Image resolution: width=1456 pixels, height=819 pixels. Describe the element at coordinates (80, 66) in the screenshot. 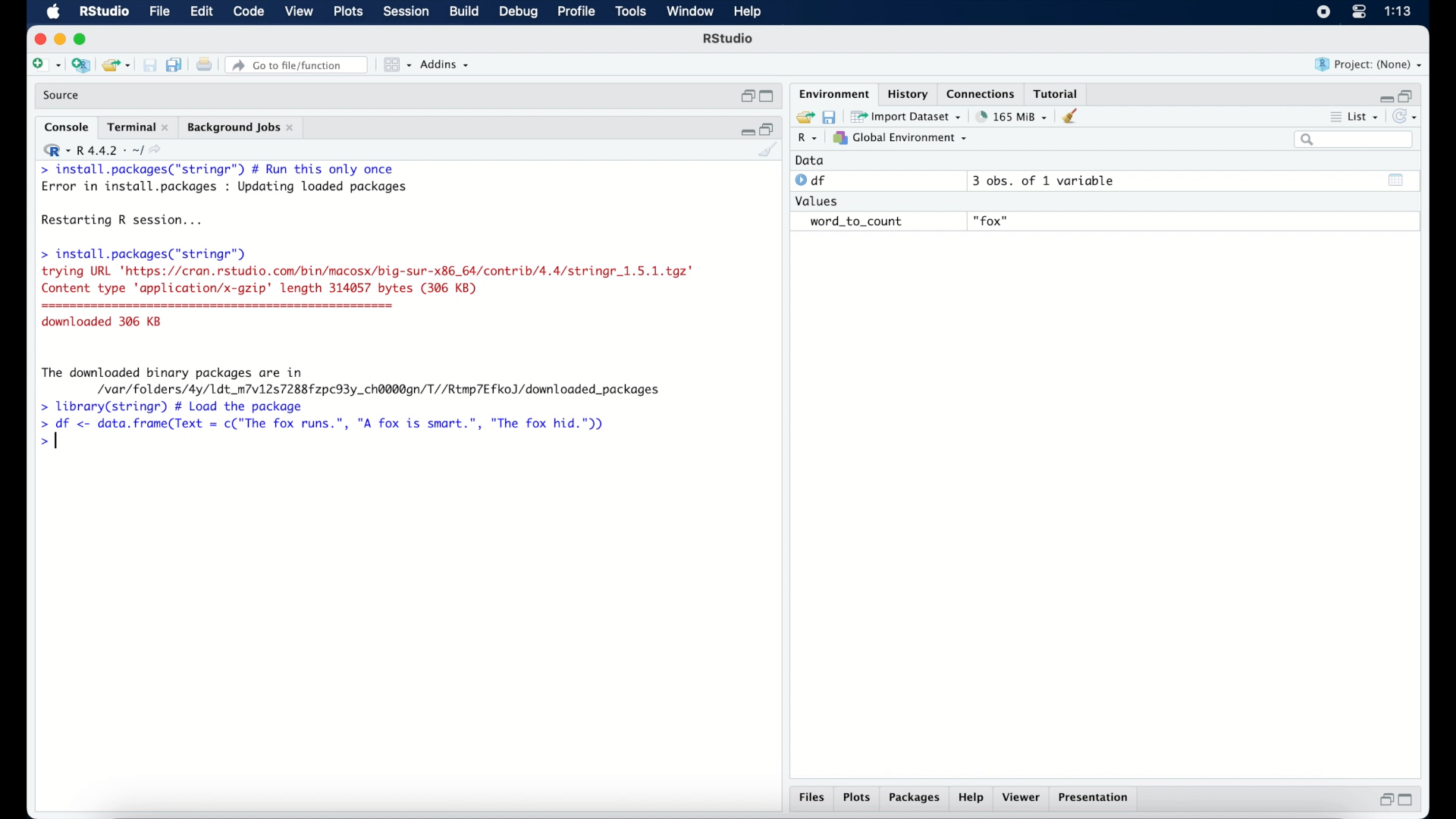

I see `create new project` at that location.